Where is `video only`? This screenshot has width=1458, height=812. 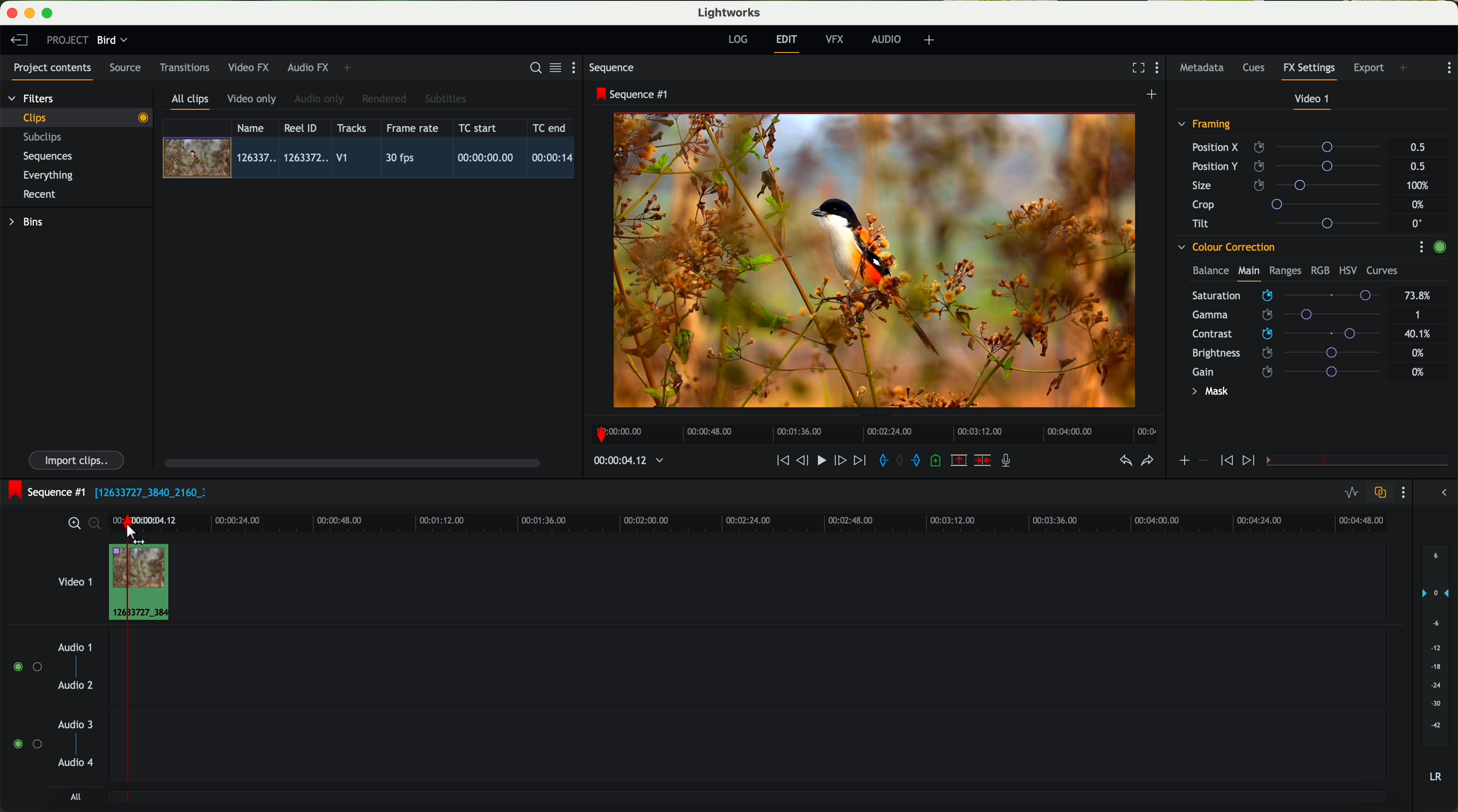 video only is located at coordinates (251, 100).